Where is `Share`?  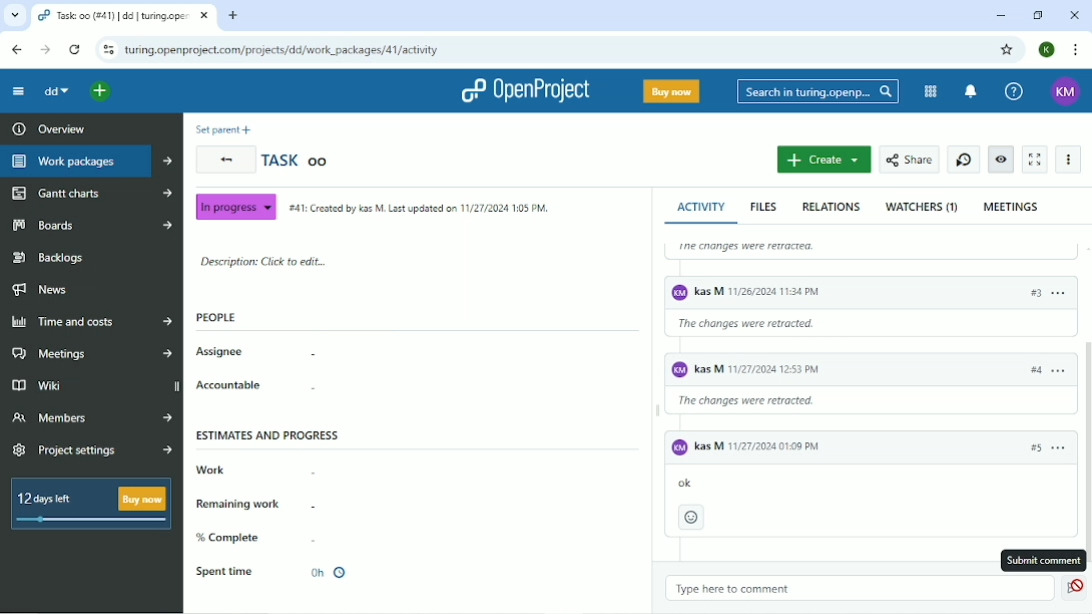 Share is located at coordinates (910, 159).